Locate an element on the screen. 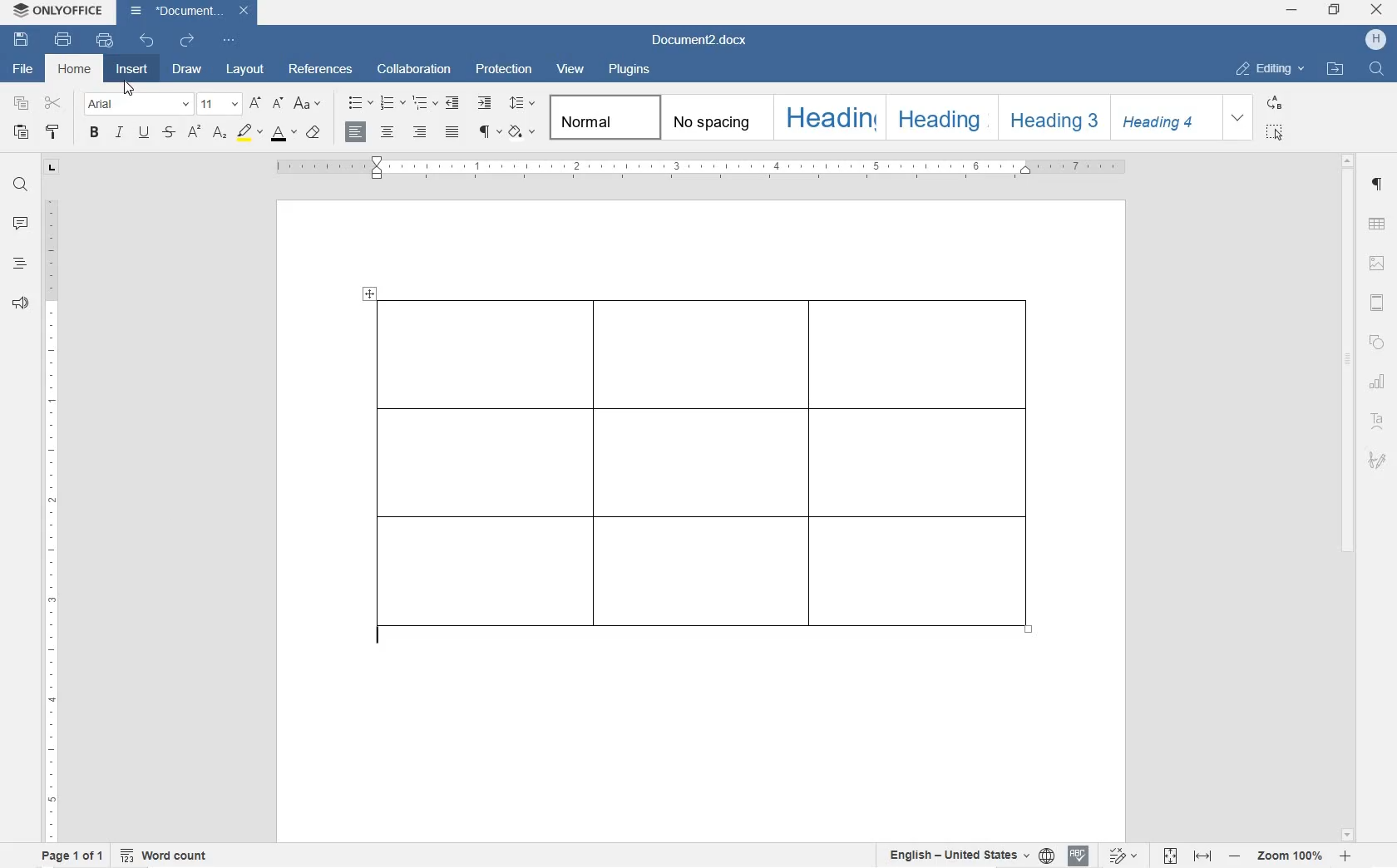 Image resolution: width=1397 pixels, height=868 pixels. close is located at coordinates (1376, 11).